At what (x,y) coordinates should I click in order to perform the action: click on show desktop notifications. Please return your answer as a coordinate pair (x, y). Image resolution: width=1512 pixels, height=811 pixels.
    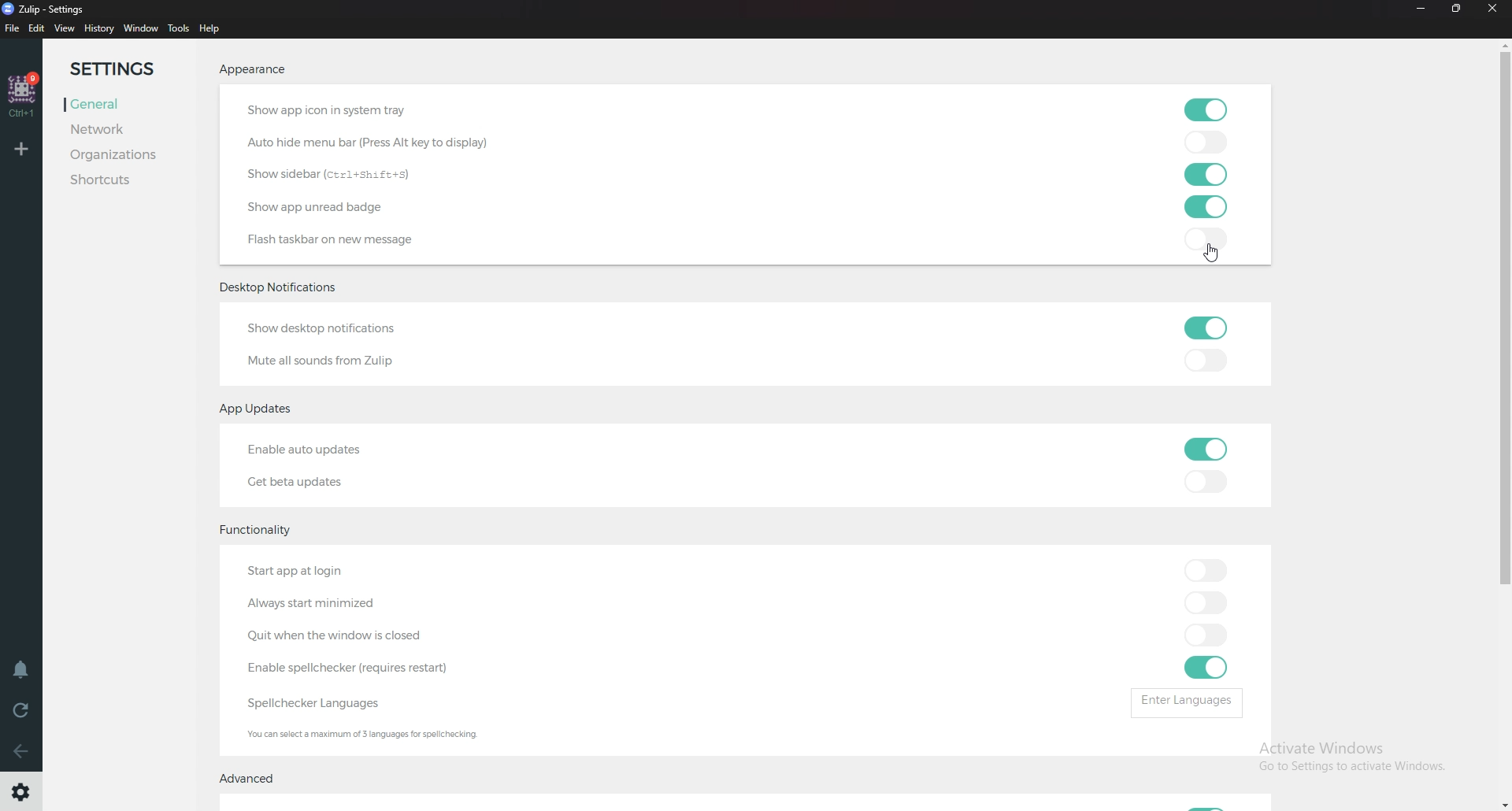
    Looking at the image, I should click on (332, 331).